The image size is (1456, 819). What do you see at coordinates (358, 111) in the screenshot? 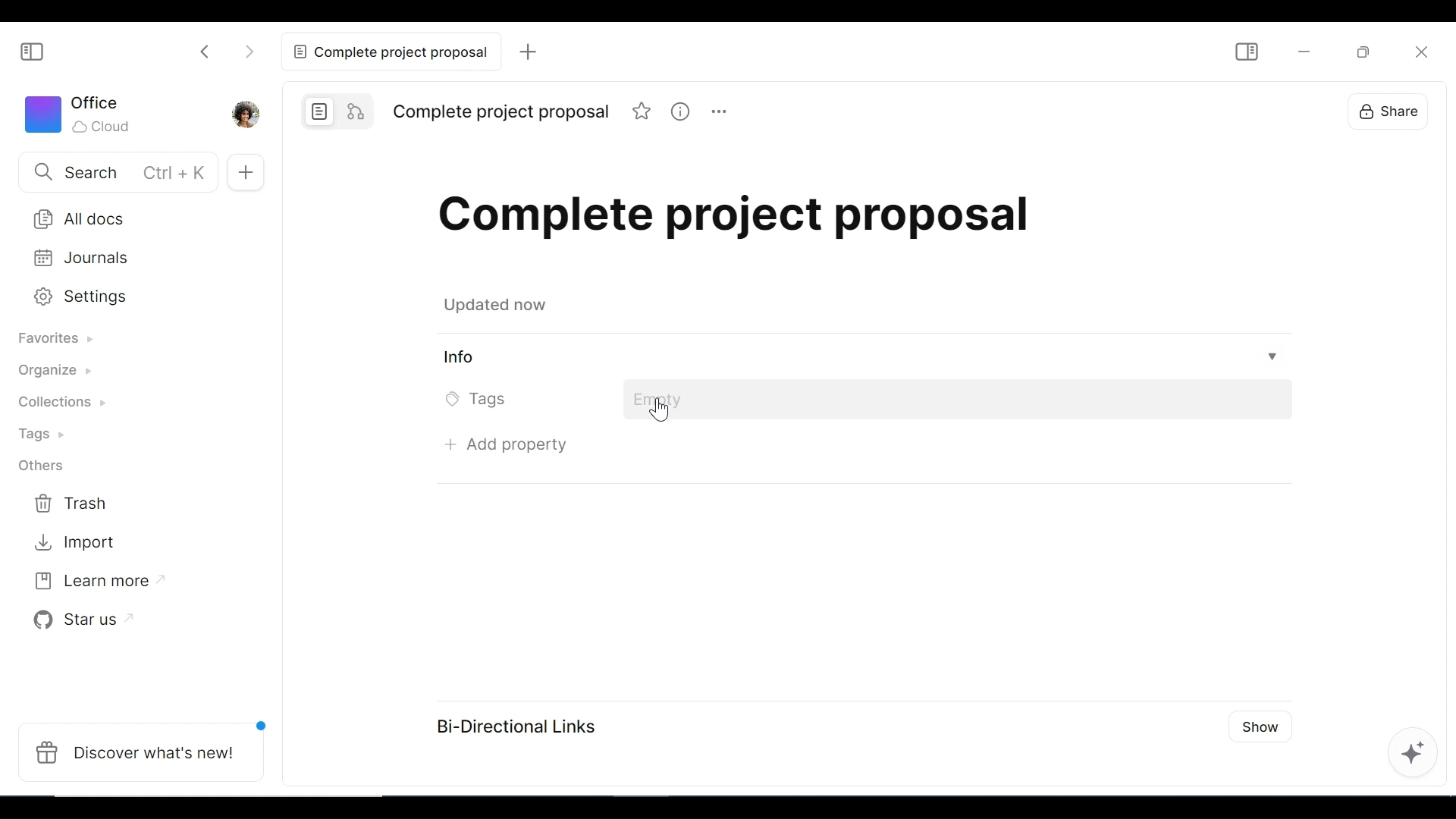
I see `Edgeless mode` at bounding box center [358, 111].